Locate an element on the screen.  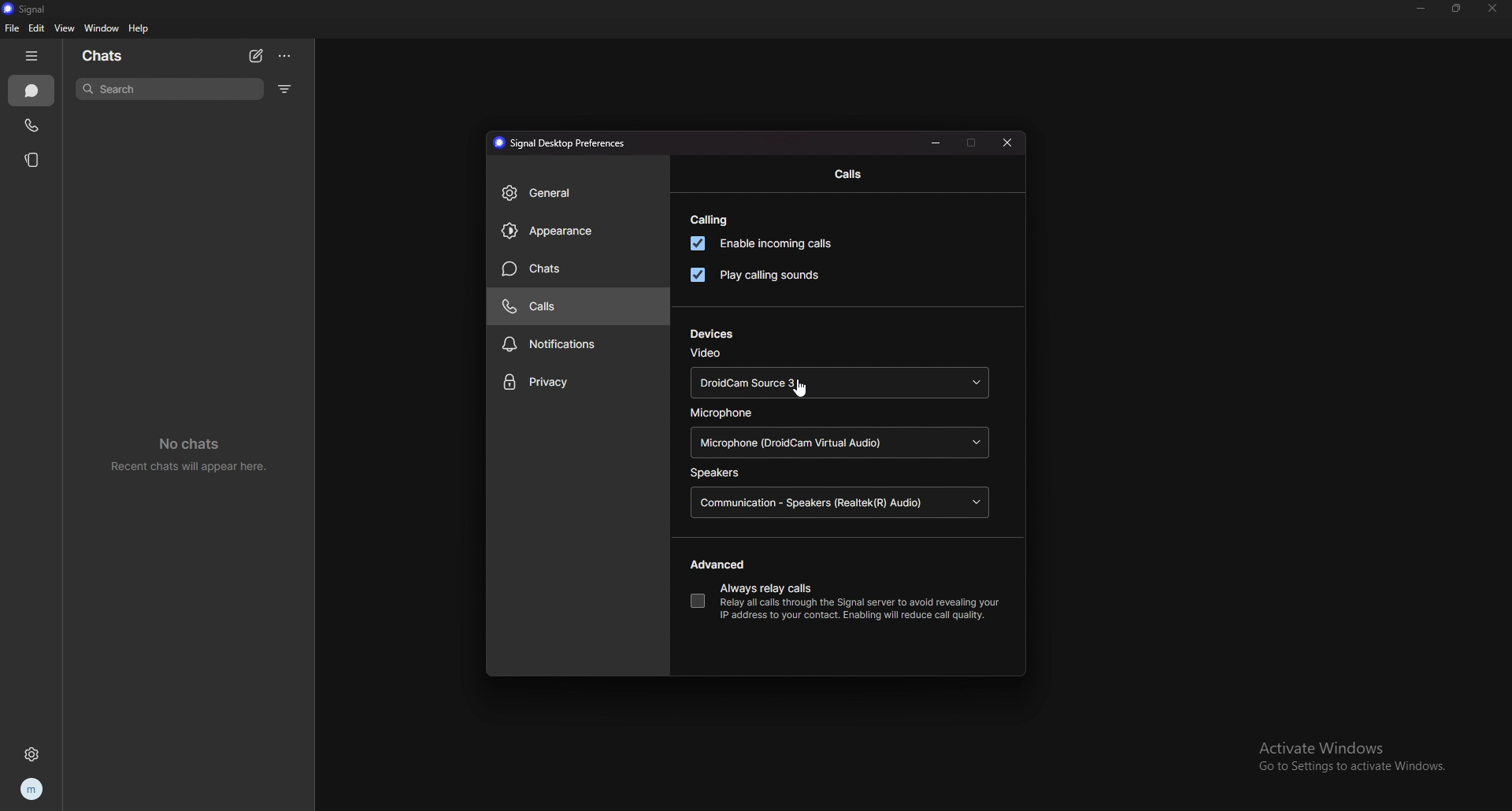
chats is located at coordinates (32, 91).